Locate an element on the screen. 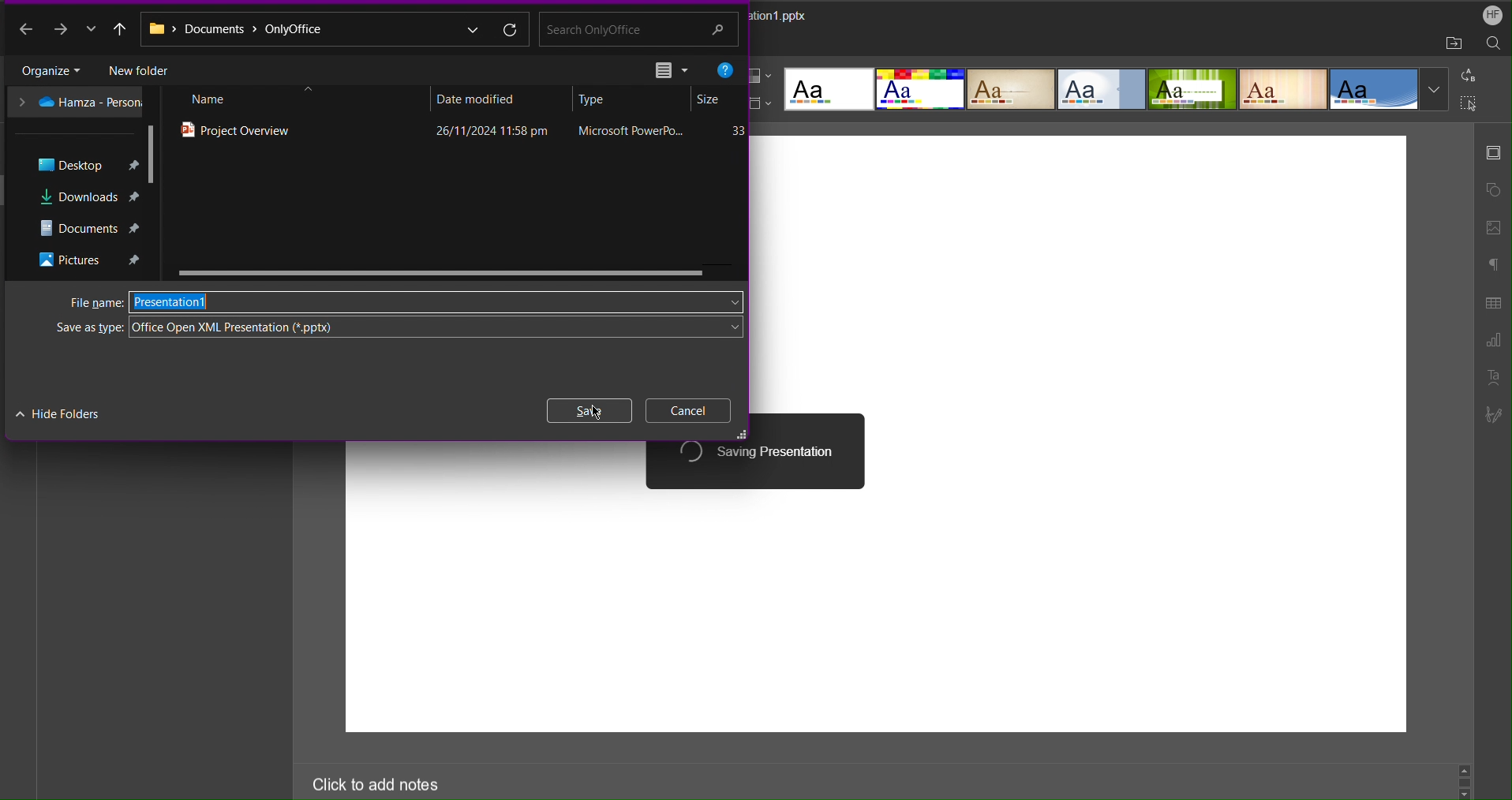 This screenshot has height=800, width=1512. Date modified is located at coordinates (477, 99).